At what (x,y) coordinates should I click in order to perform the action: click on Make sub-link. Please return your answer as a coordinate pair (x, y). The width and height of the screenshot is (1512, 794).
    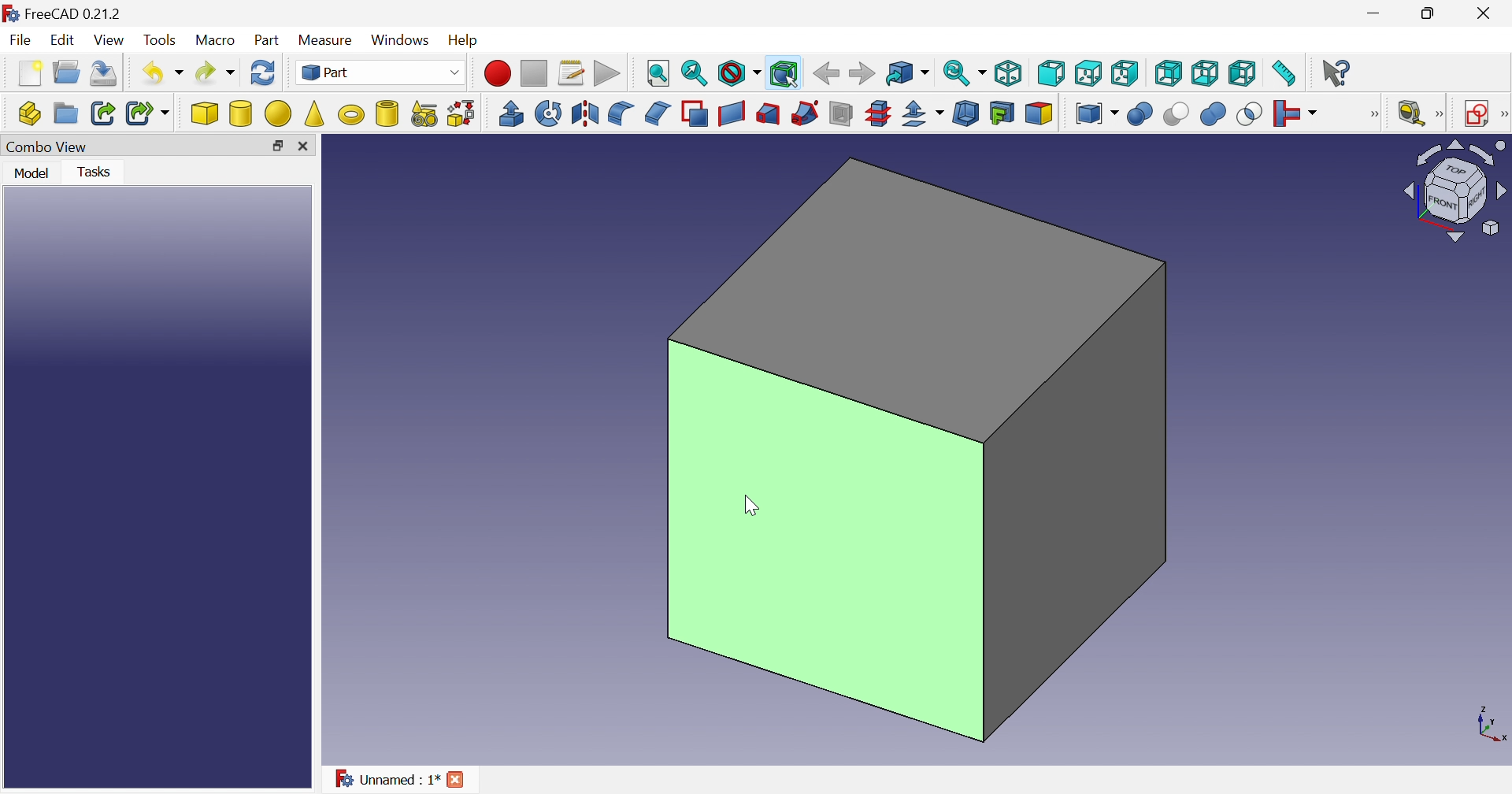
    Looking at the image, I should click on (149, 114).